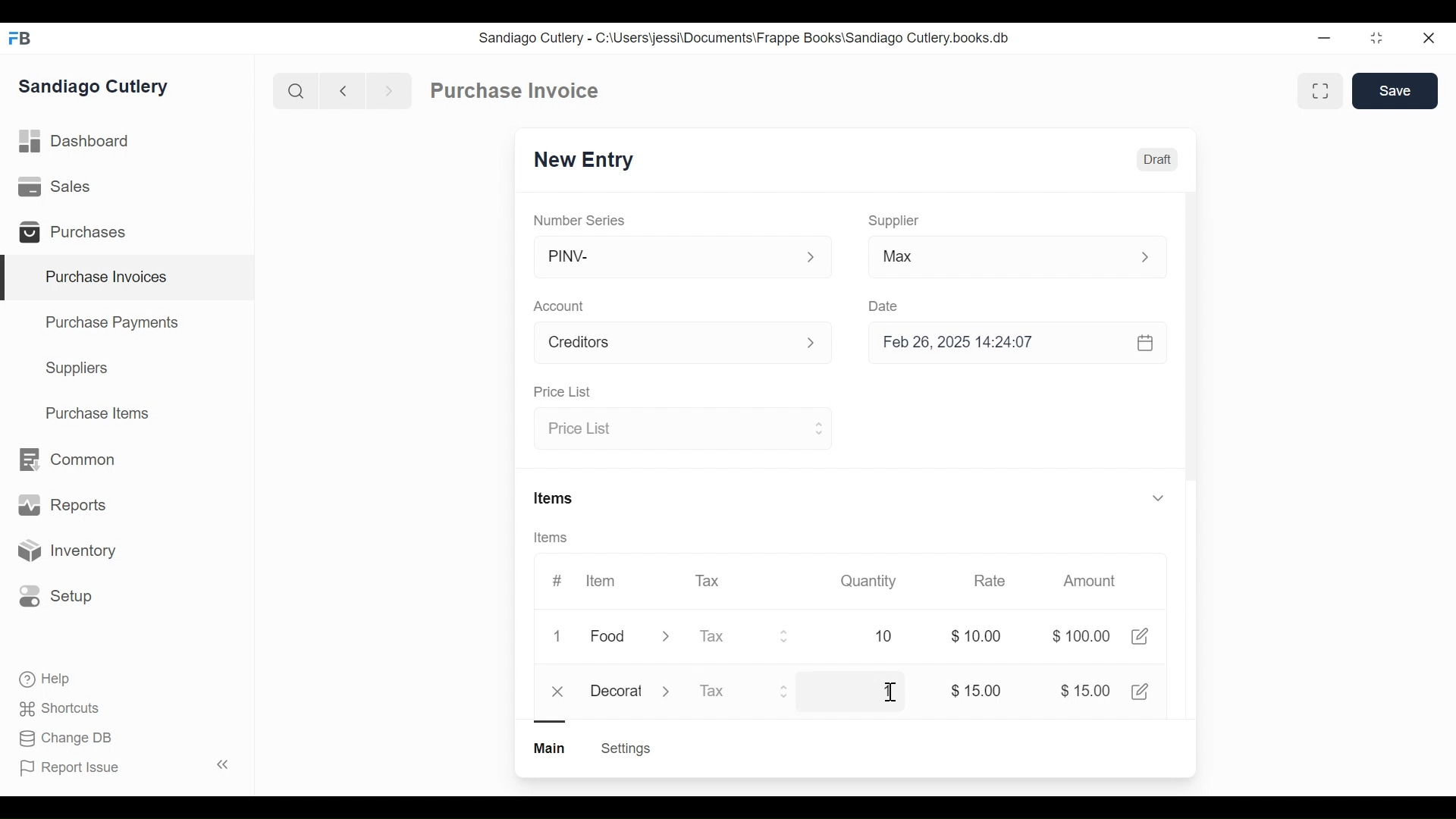 This screenshot has height=819, width=1456. What do you see at coordinates (787, 691) in the screenshot?
I see `Expand` at bounding box center [787, 691].